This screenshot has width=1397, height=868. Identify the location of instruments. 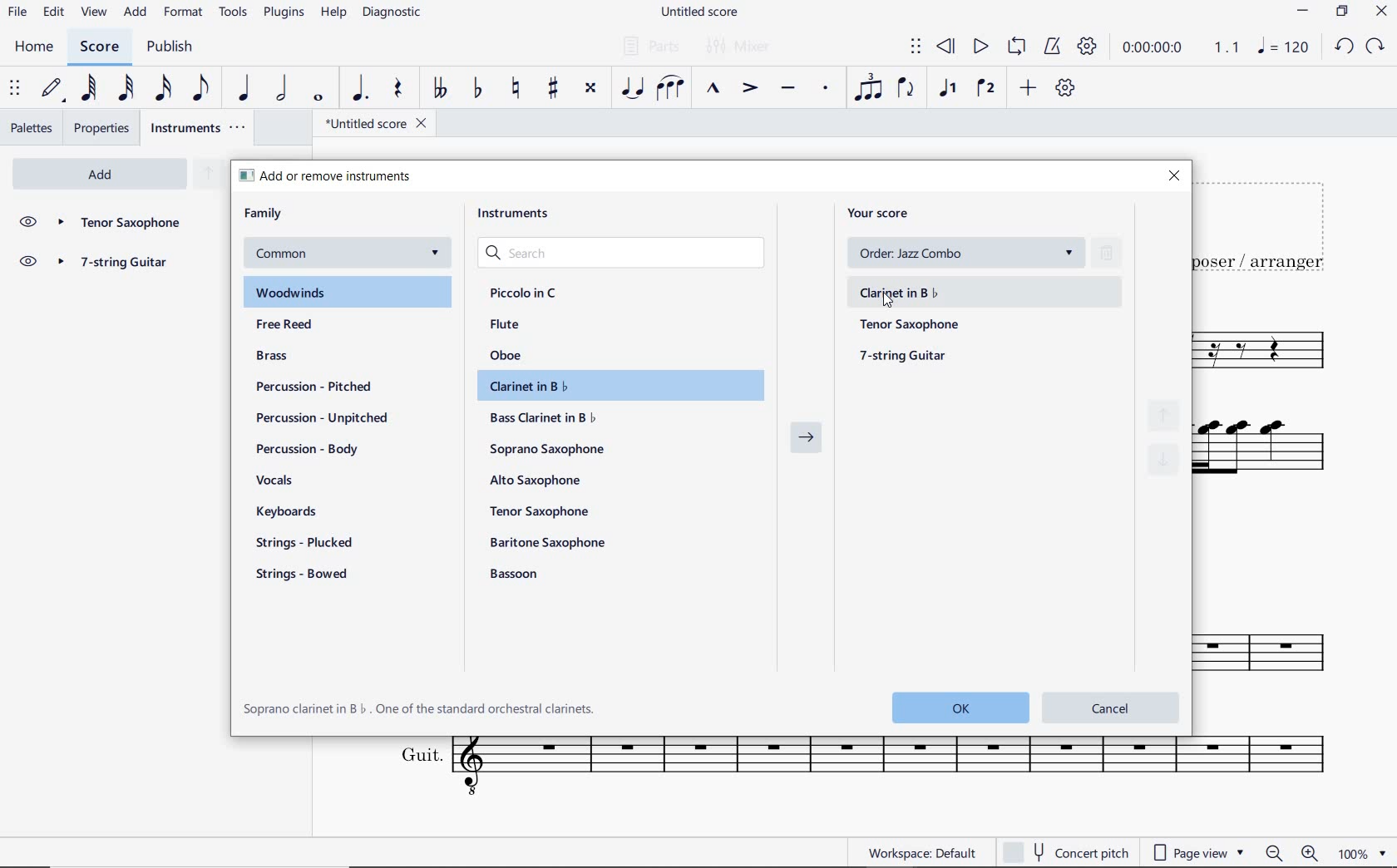
(519, 217).